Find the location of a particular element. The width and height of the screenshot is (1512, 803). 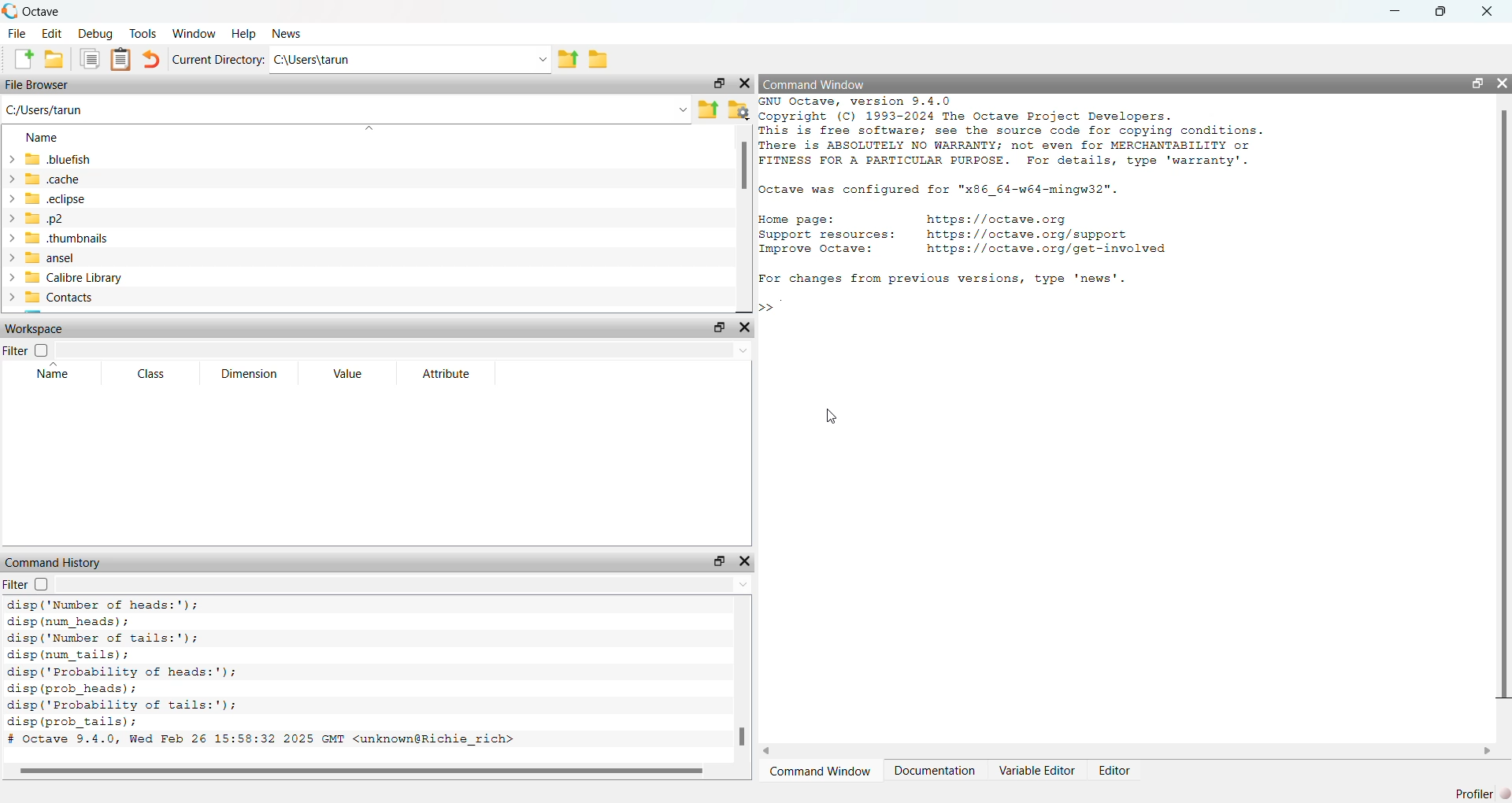

Contacts is located at coordinates (60, 297).